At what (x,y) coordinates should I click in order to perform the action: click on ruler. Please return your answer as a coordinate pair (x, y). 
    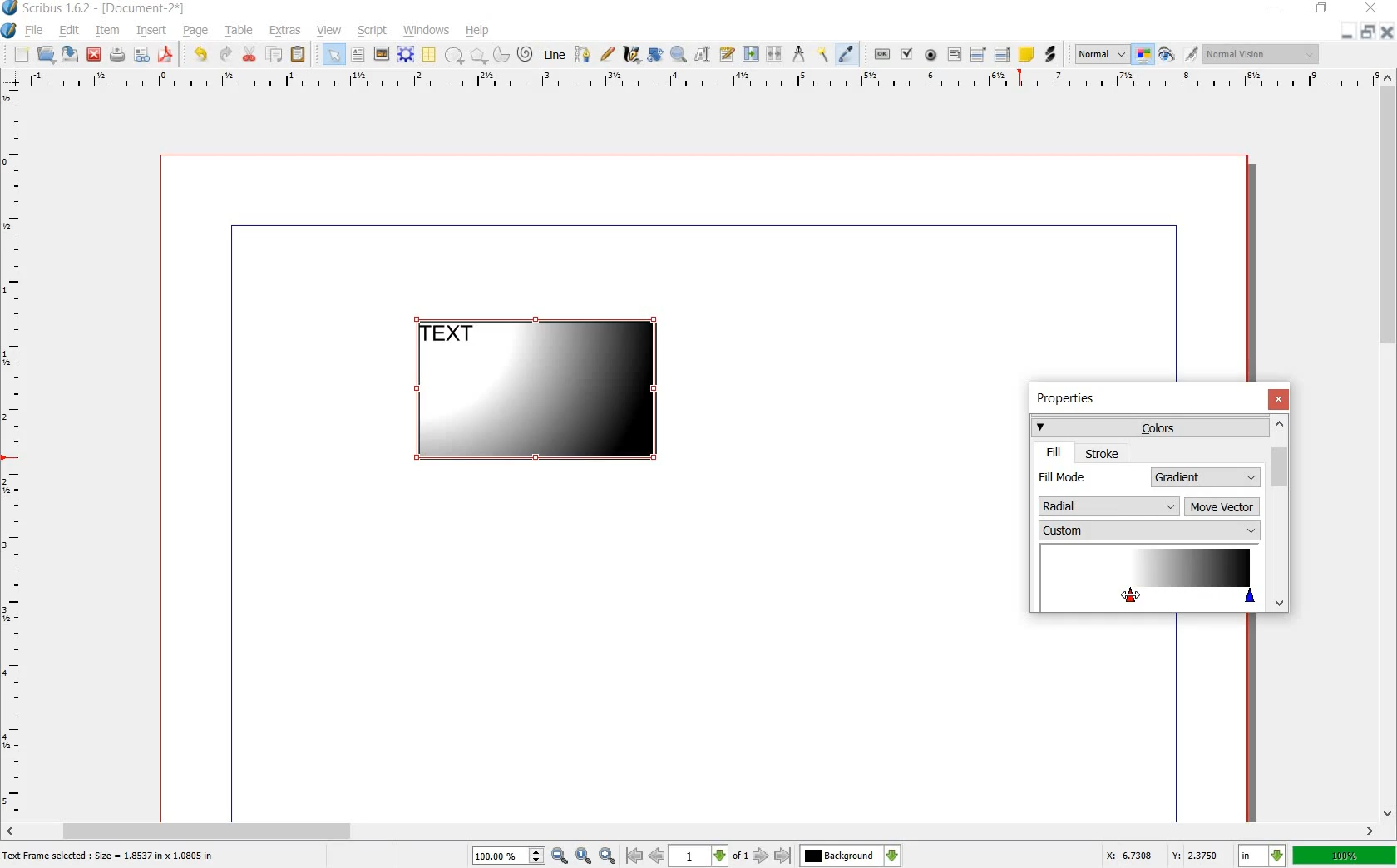
    Looking at the image, I should click on (696, 81).